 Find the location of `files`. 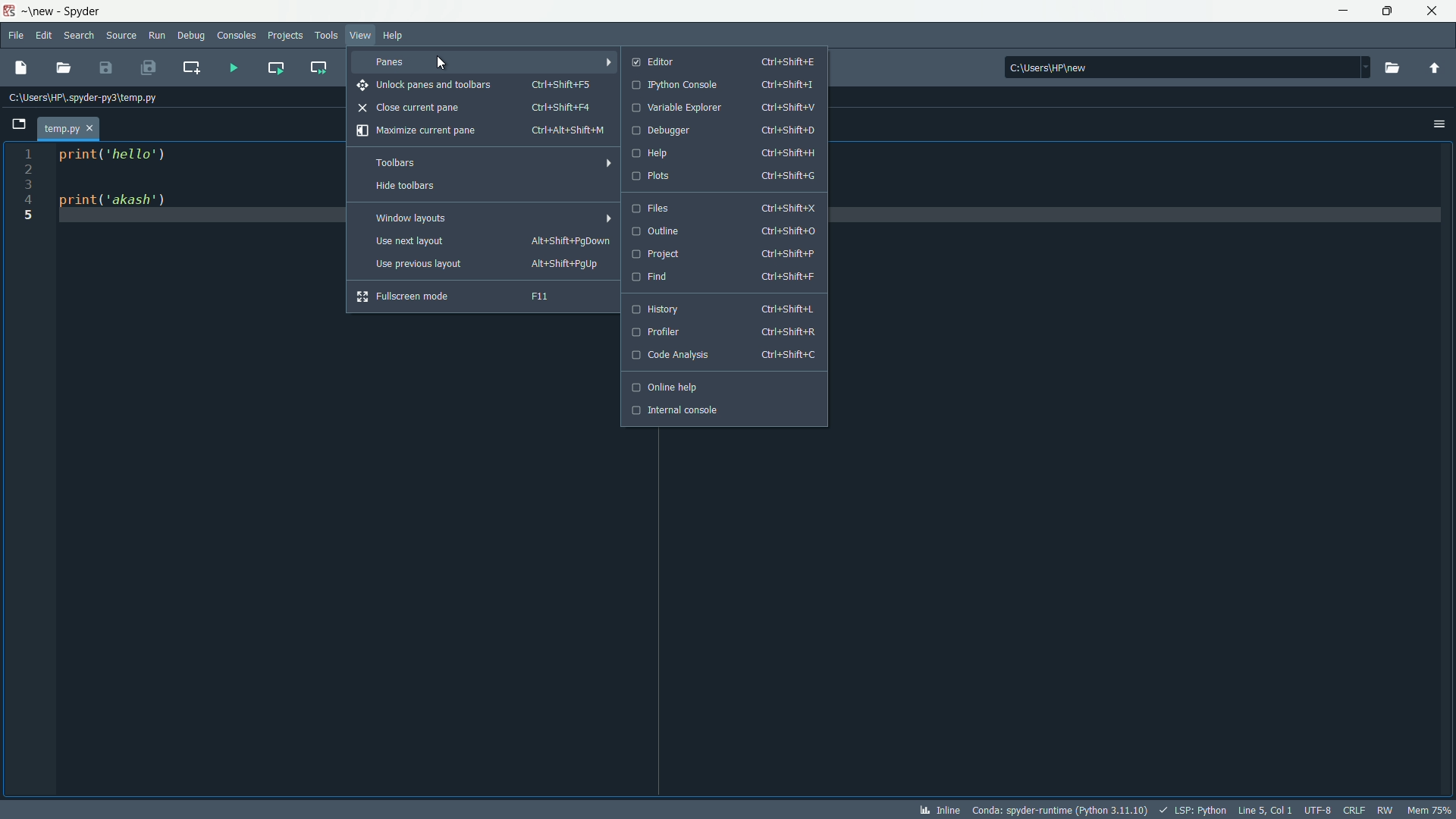

files is located at coordinates (724, 207).